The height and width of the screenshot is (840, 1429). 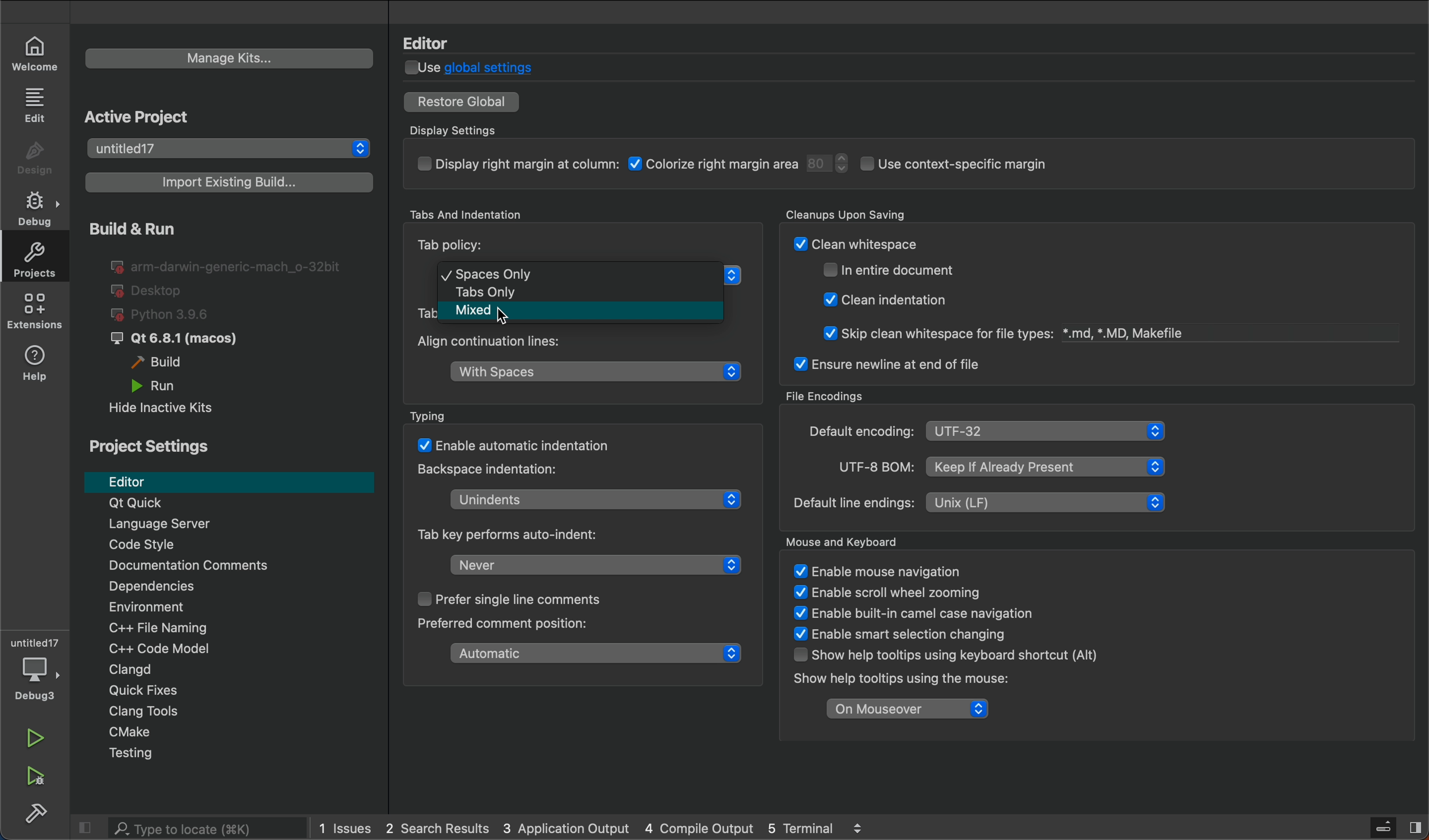 What do you see at coordinates (216, 525) in the screenshot?
I see `language server` at bounding box center [216, 525].